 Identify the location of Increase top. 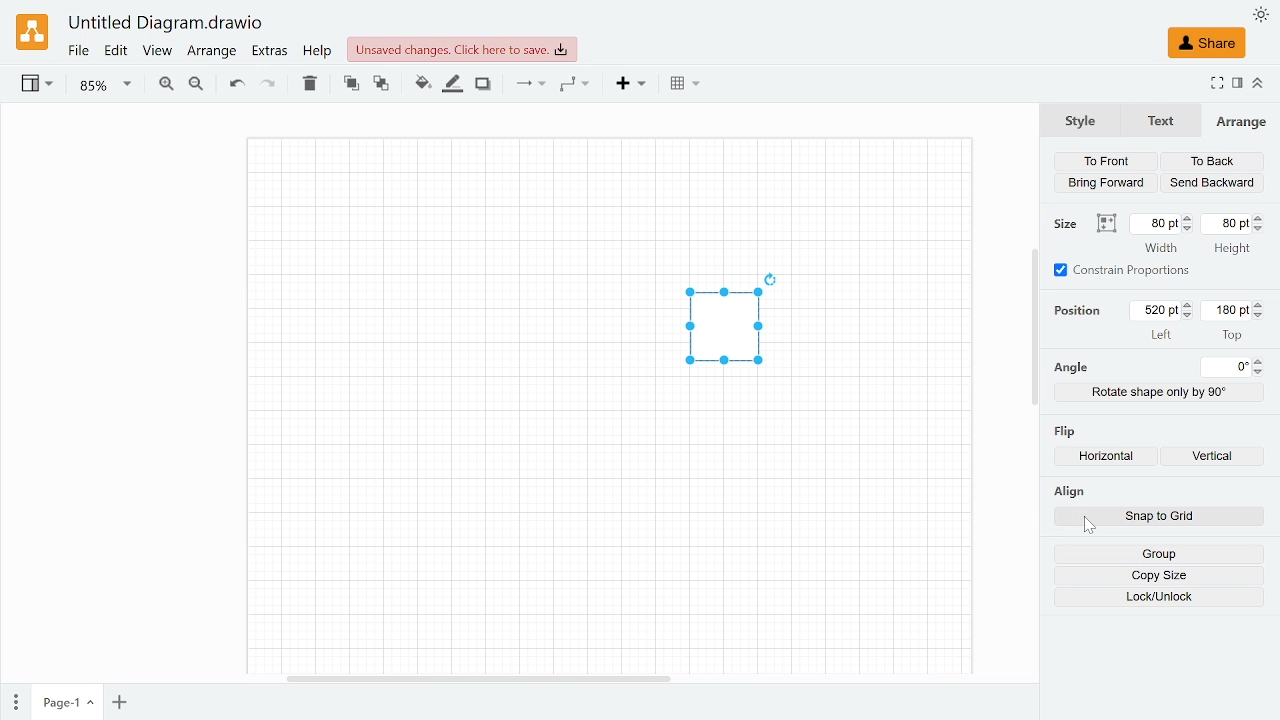
(1260, 304).